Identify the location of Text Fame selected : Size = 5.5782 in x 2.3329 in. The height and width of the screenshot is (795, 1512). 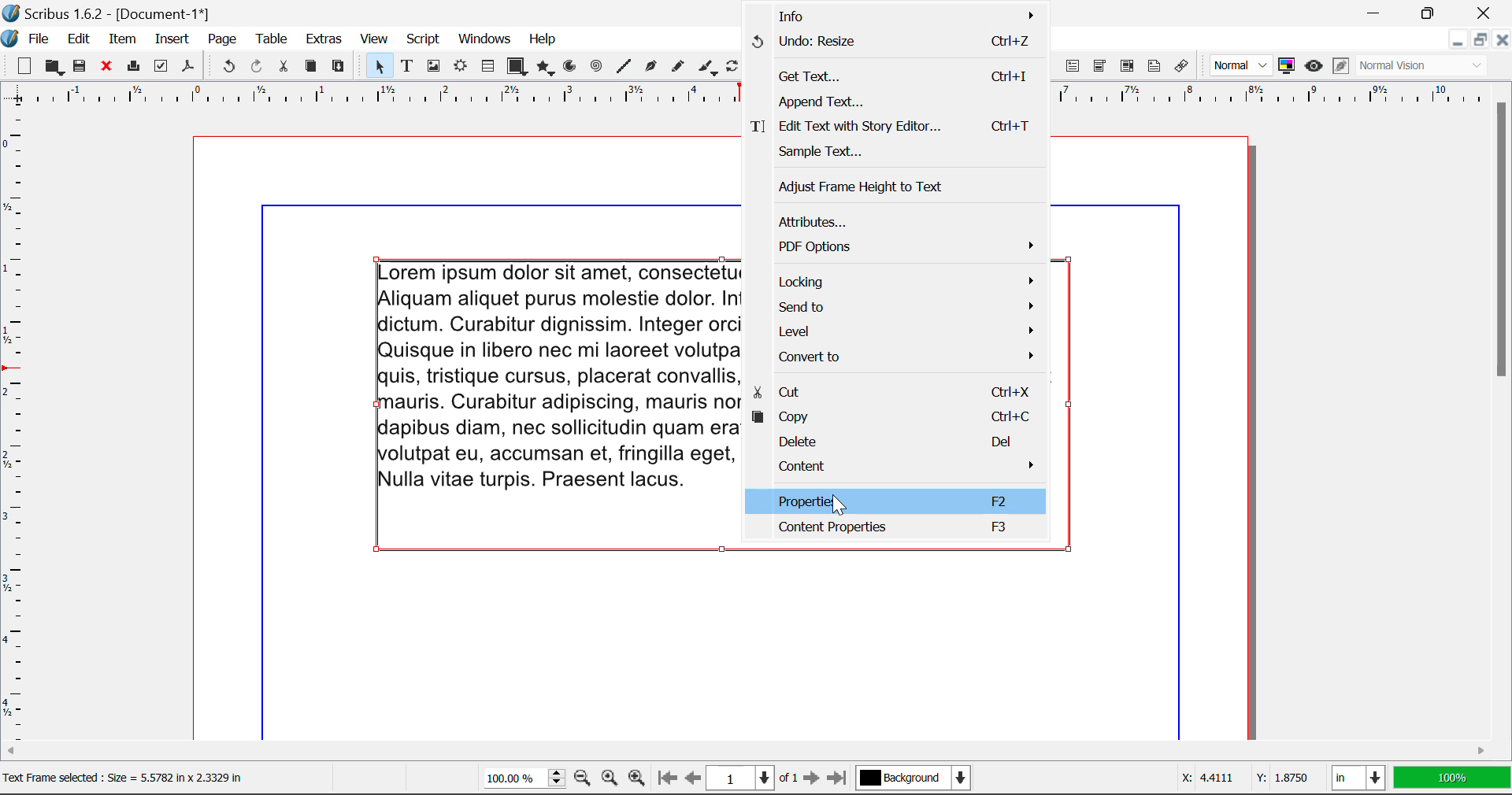
(126, 778).